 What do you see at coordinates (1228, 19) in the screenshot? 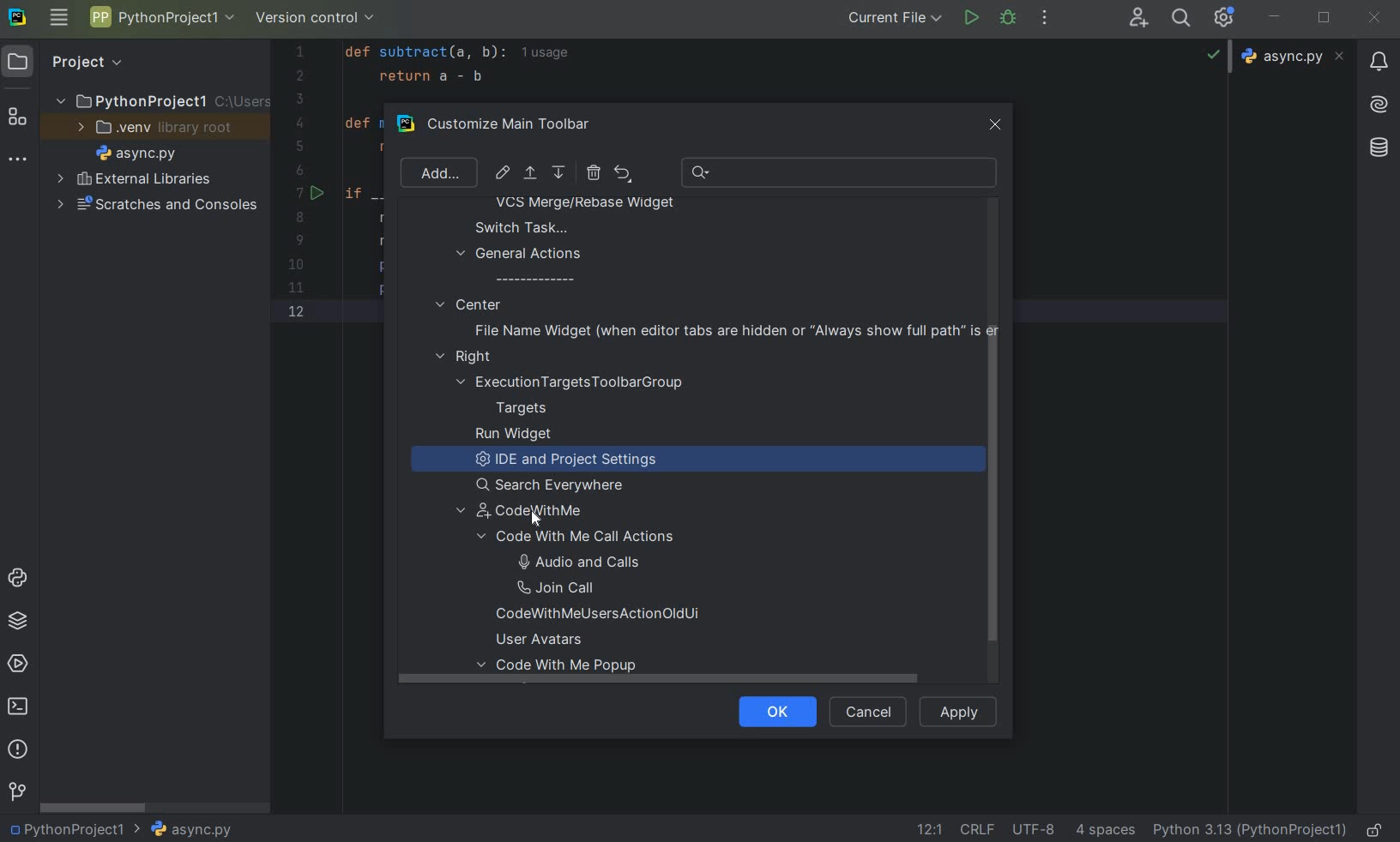
I see `IDE & PROJECT SETTINGS` at bounding box center [1228, 19].